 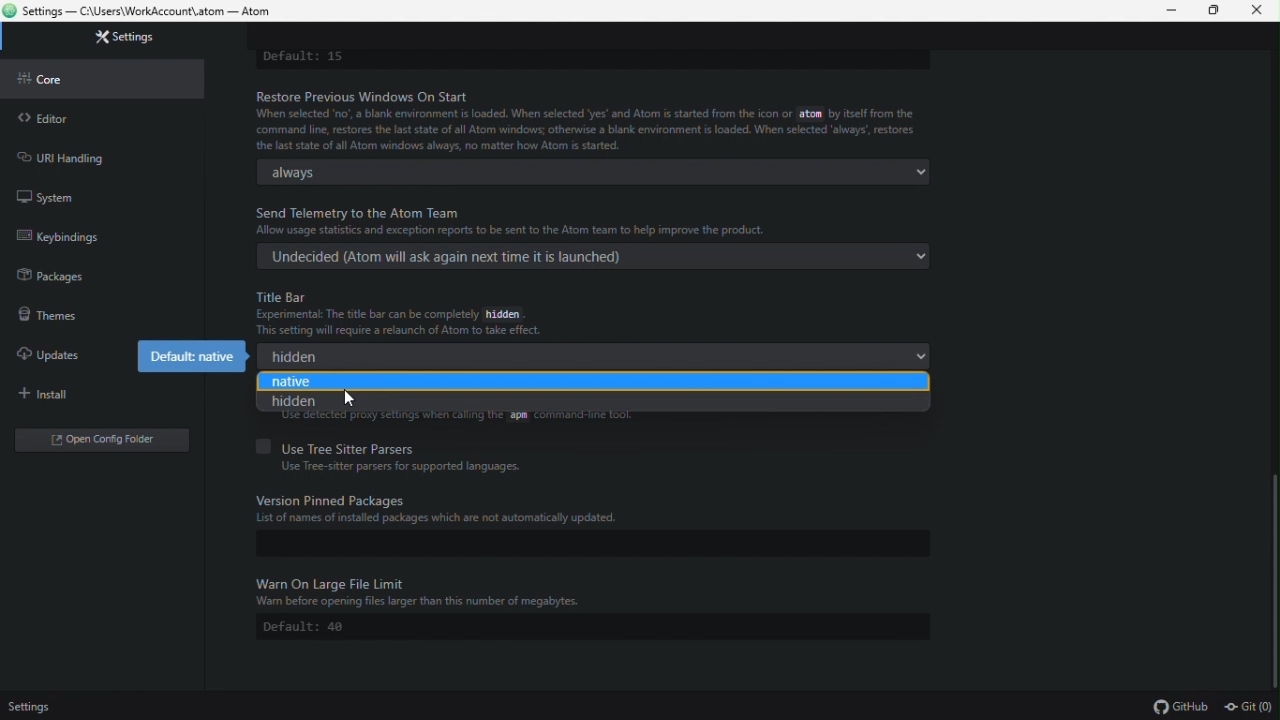 I want to click on system, so click(x=98, y=195).